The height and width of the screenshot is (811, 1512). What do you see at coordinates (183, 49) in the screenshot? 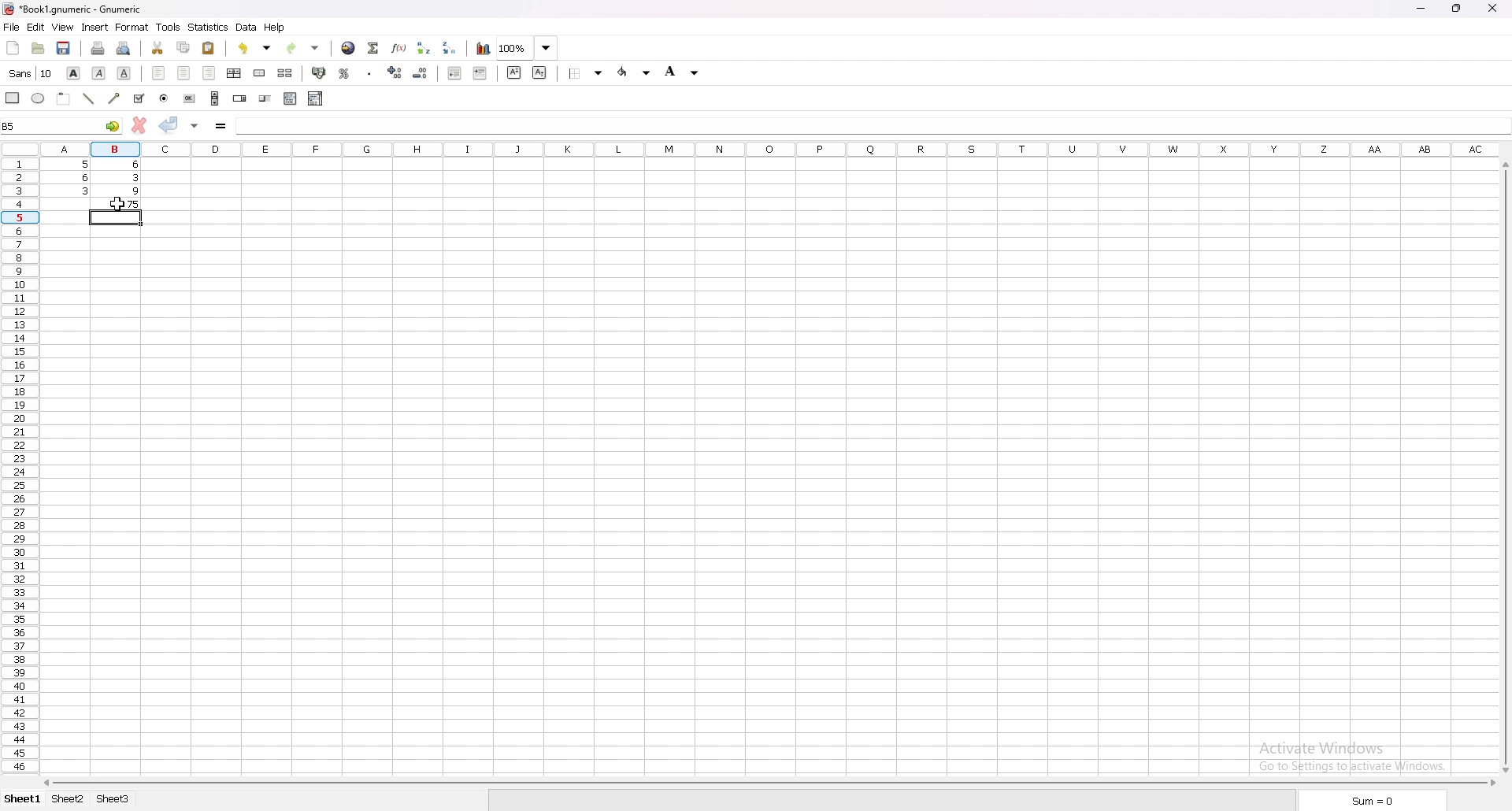
I see `copy` at bounding box center [183, 49].